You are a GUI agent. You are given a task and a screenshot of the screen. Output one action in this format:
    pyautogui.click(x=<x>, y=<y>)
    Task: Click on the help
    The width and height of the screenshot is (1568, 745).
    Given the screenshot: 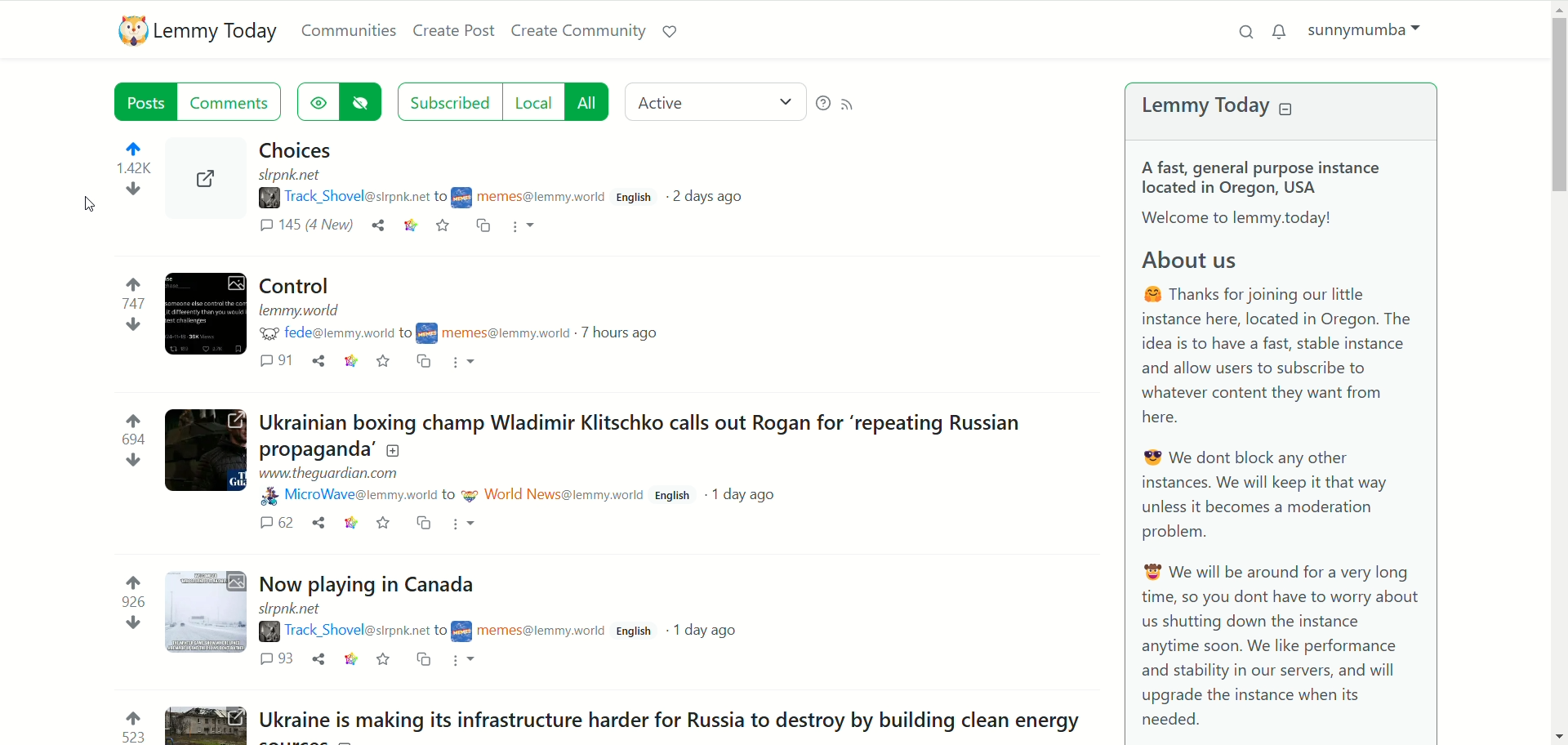 What is the action you would take?
    pyautogui.click(x=822, y=105)
    